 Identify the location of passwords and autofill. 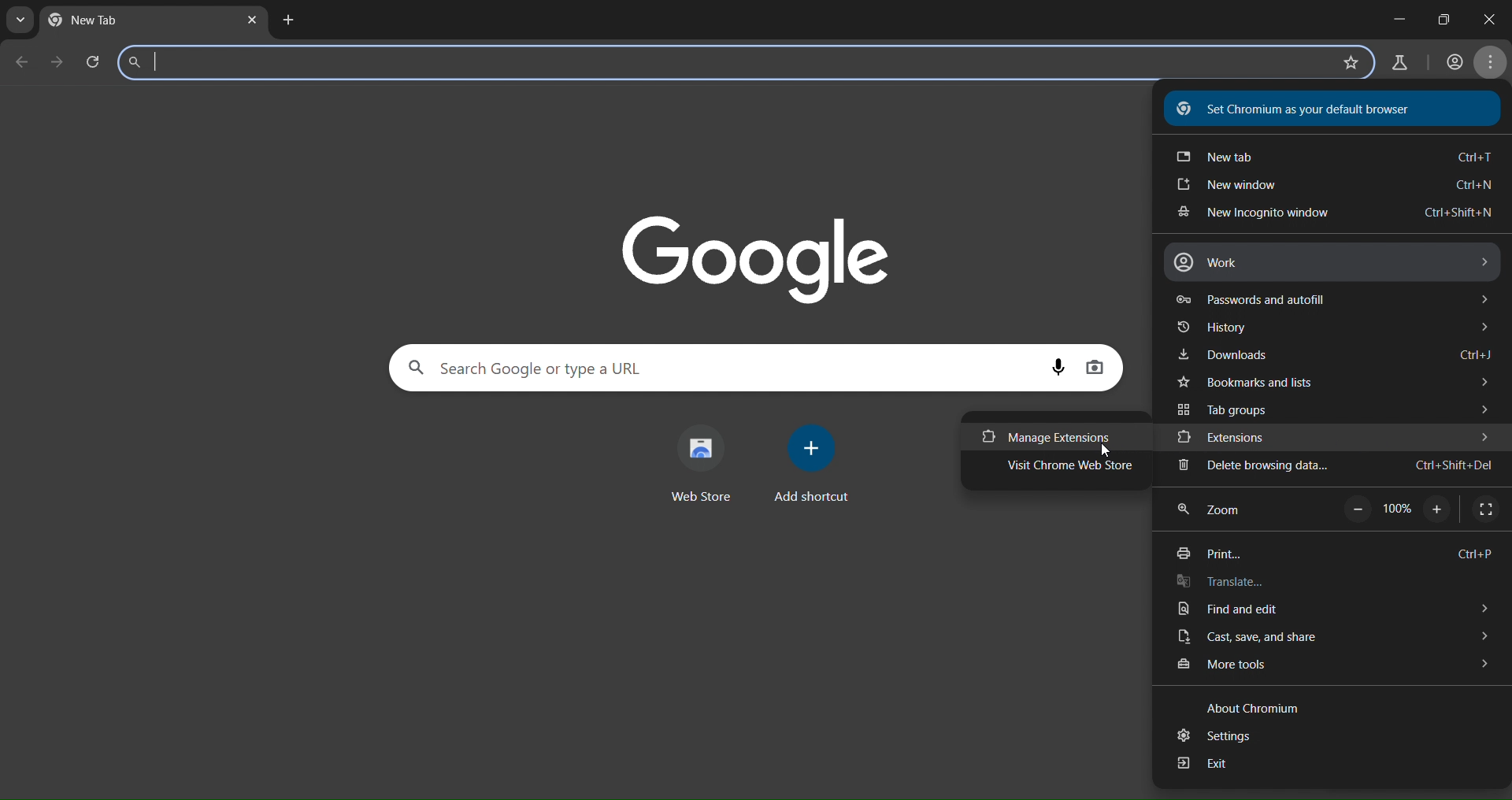
(1336, 299).